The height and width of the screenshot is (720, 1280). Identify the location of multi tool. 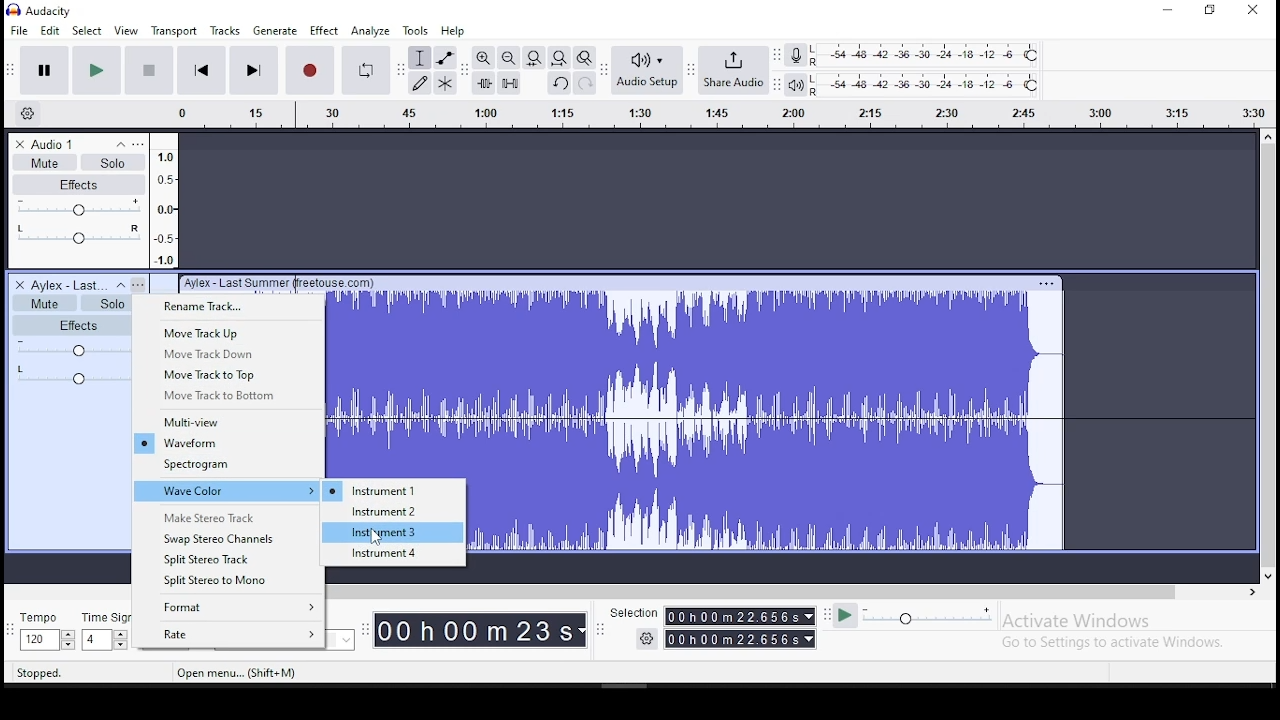
(444, 83).